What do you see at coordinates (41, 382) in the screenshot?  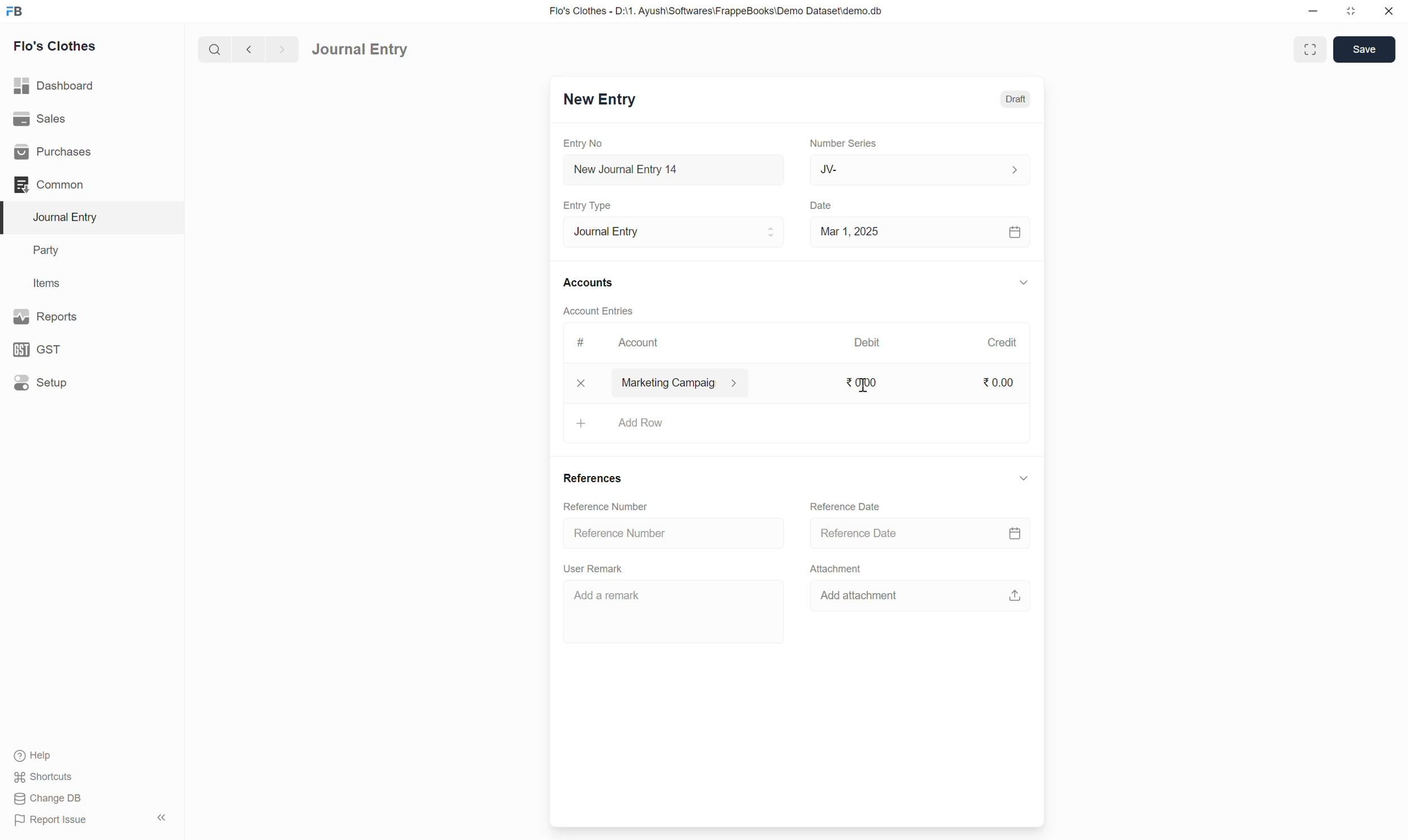 I see `Setup` at bounding box center [41, 382].